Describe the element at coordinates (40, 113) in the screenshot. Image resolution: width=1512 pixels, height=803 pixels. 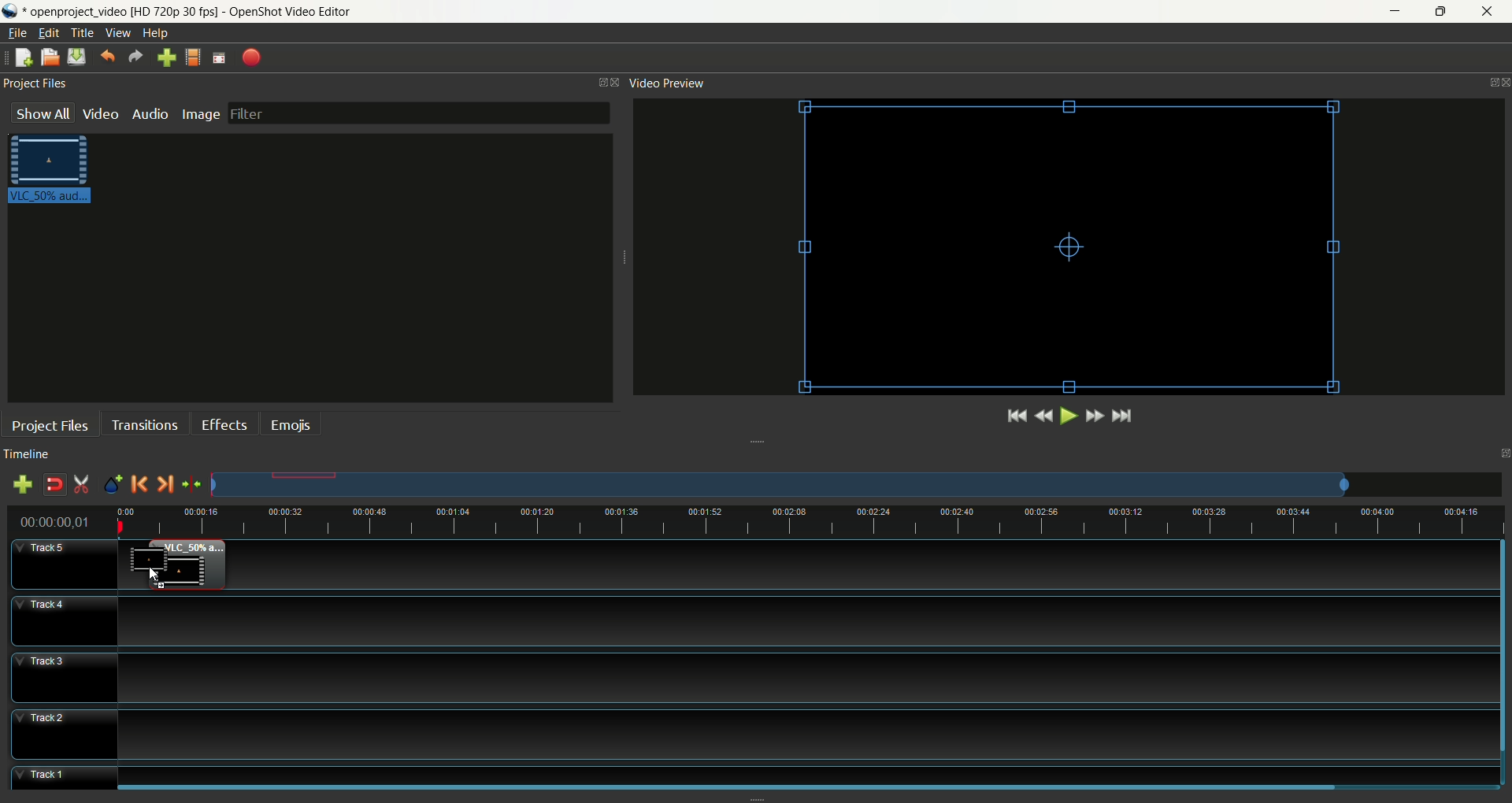
I see `show all` at that location.